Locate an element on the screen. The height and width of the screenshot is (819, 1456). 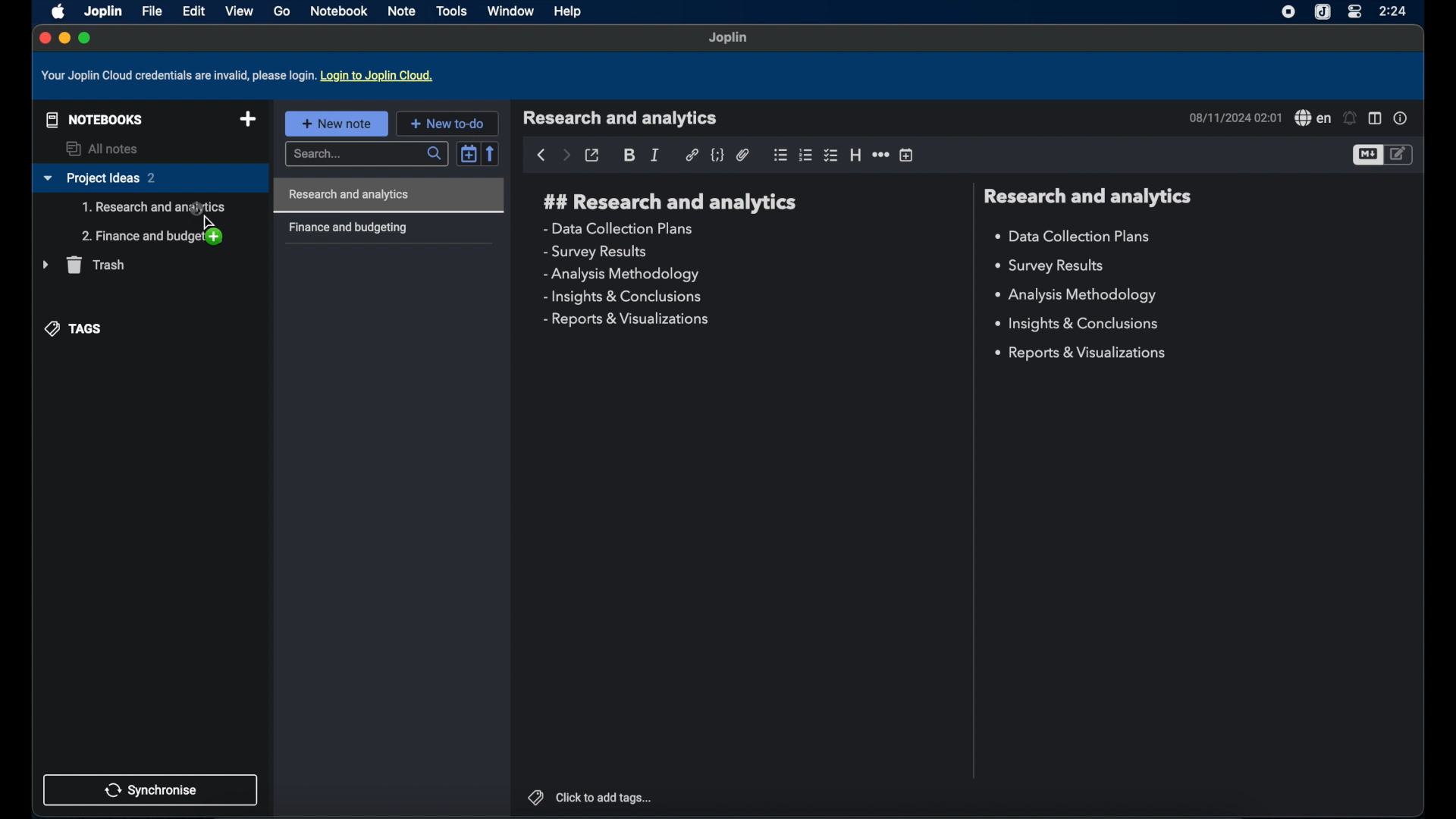
italic is located at coordinates (656, 155).